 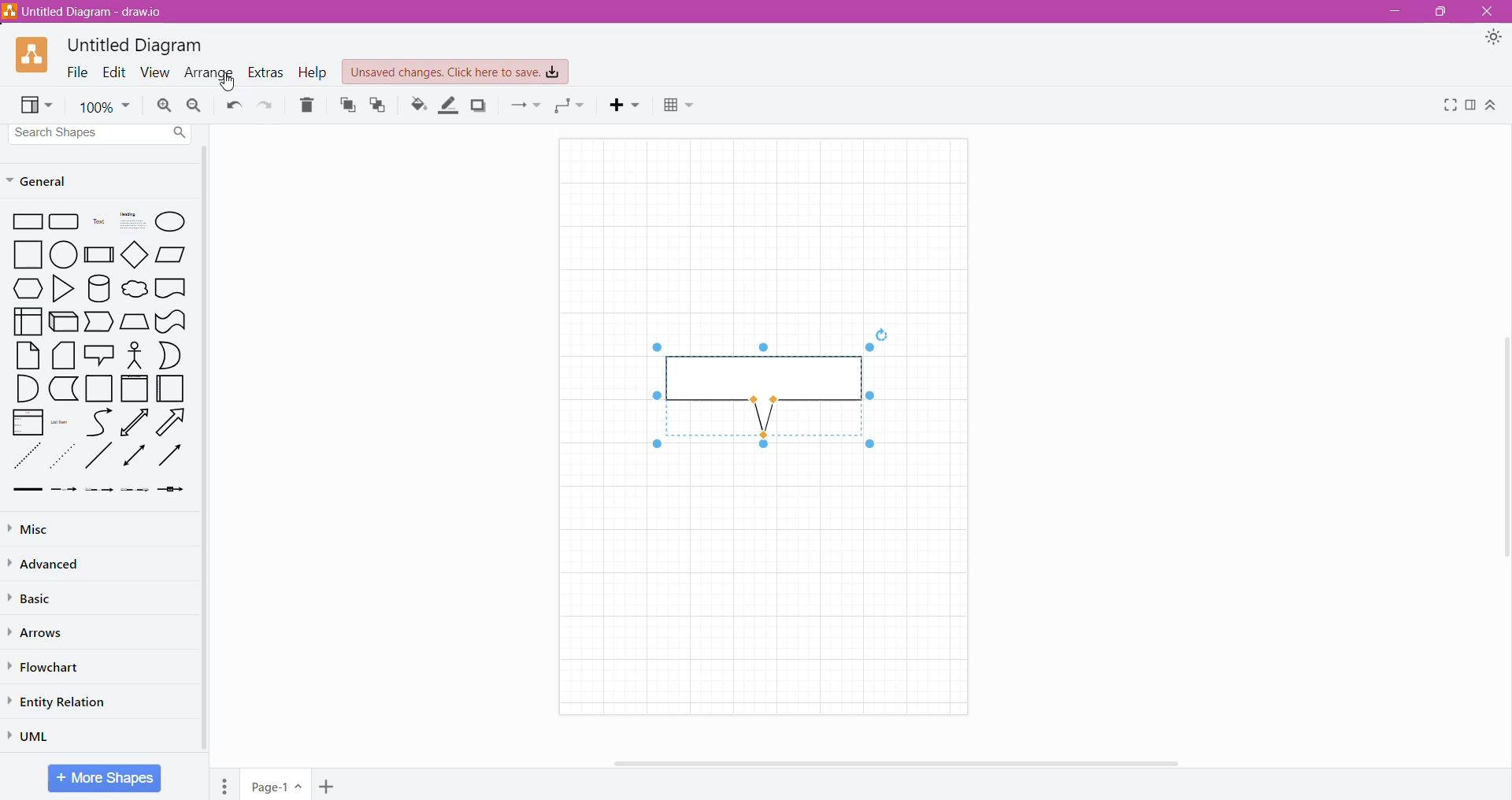 I want to click on Rightward Thick Arrow, so click(x=170, y=455).